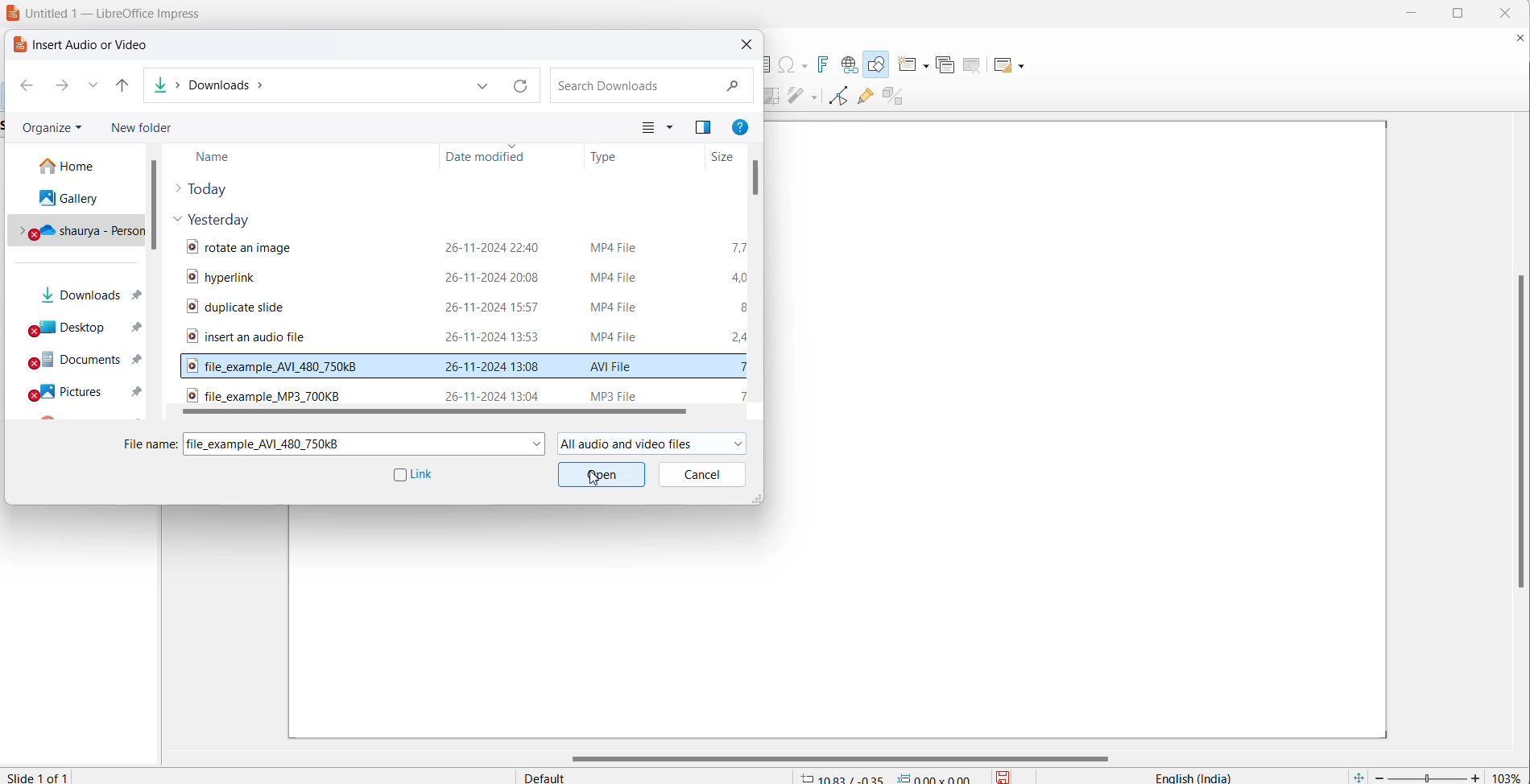 This screenshot has height=784, width=1530. I want to click on video file modification date, so click(498, 292).